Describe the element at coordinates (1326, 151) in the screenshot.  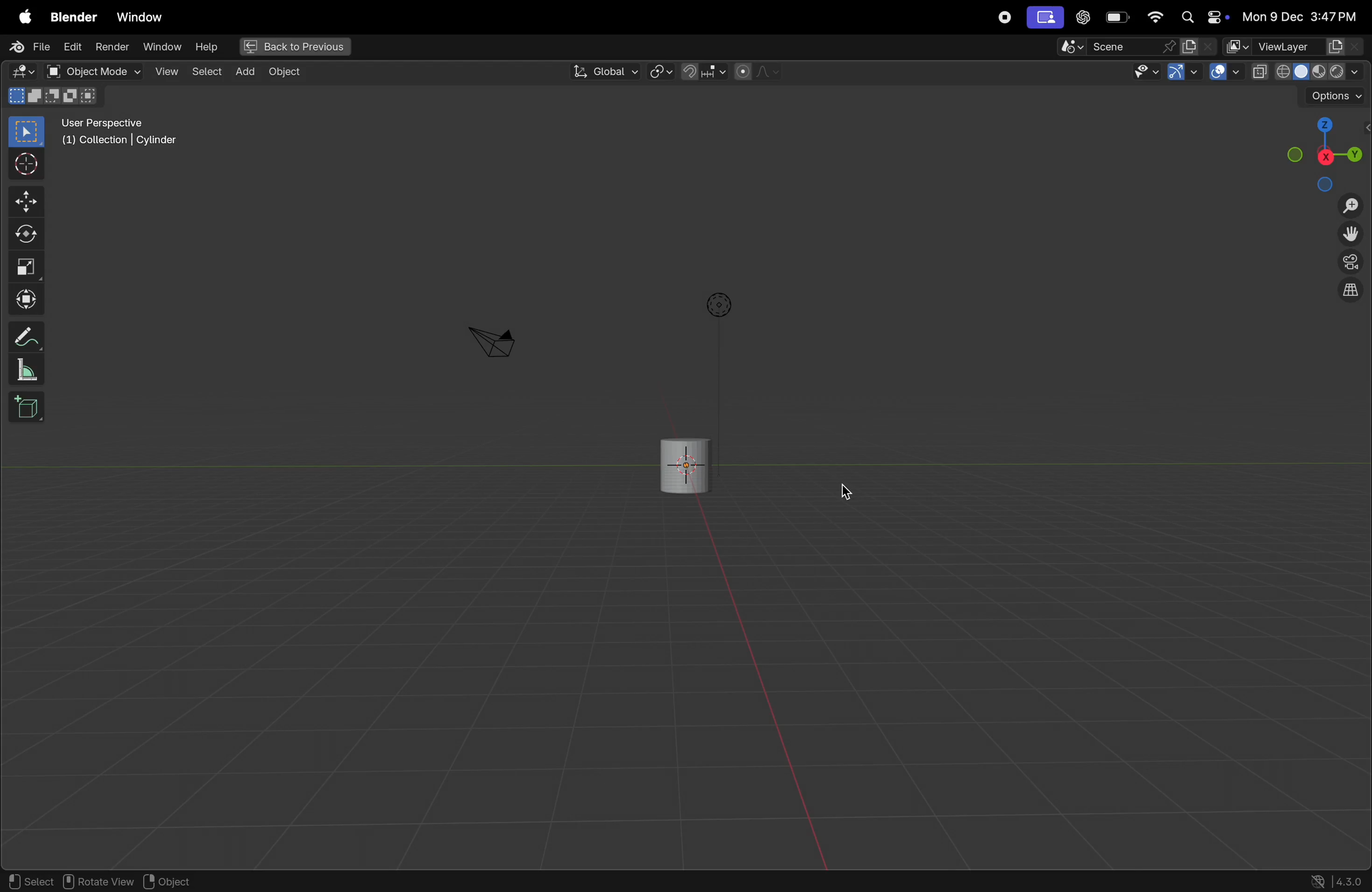
I see `view point` at that location.